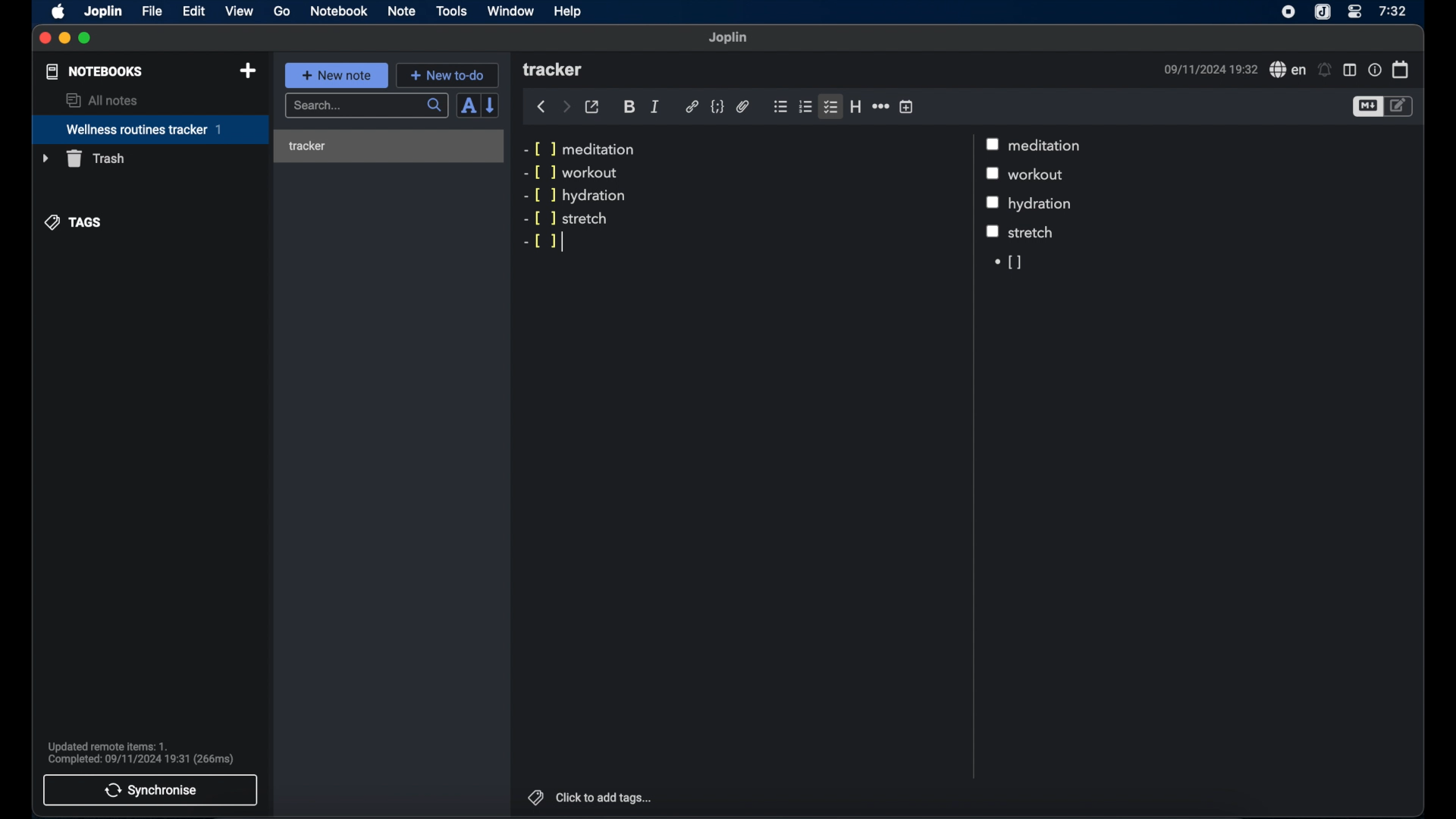 This screenshot has width=1456, height=819. What do you see at coordinates (339, 11) in the screenshot?
I see `notebook` at bounding box center [339, 11].